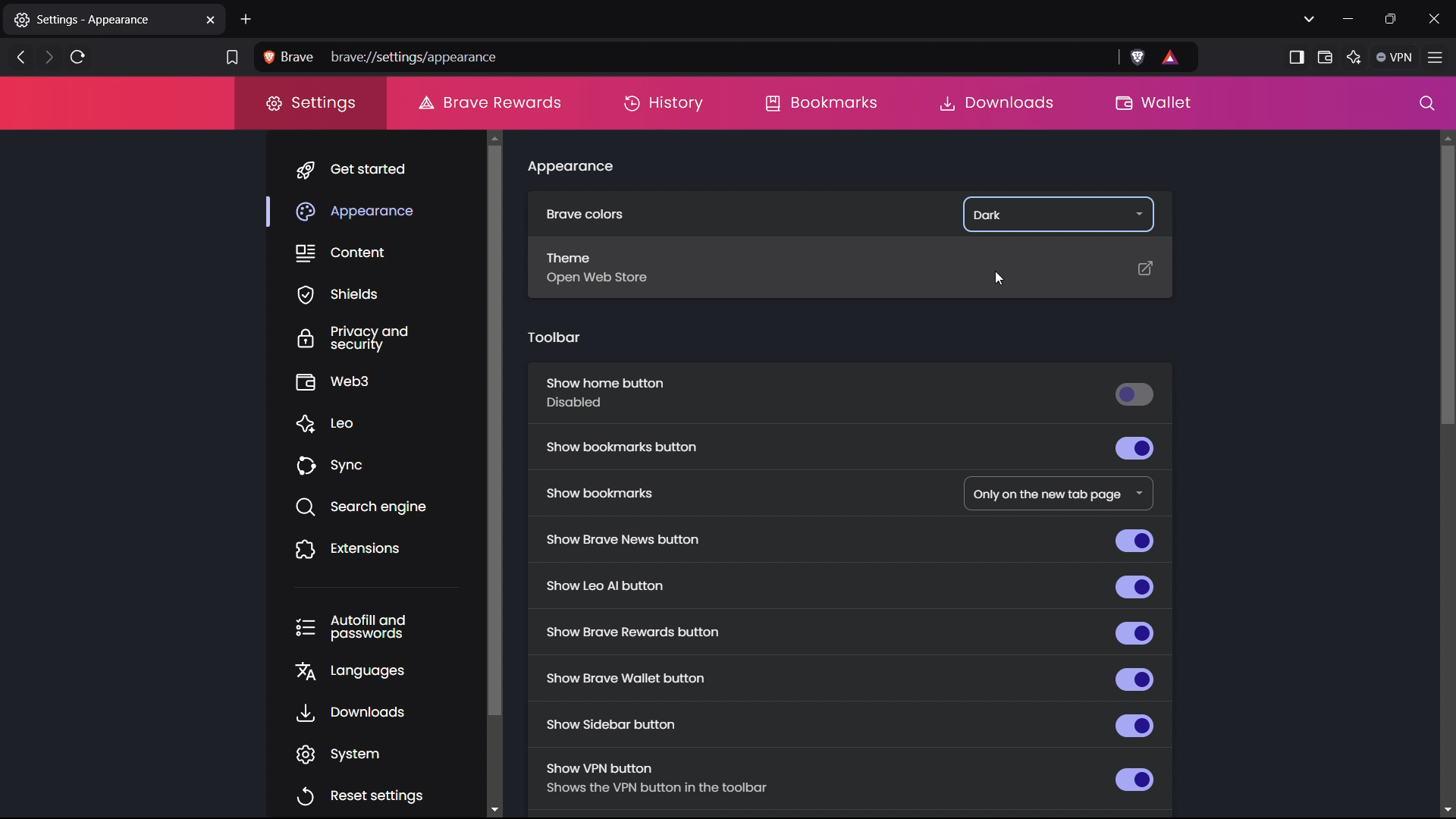 This screenshot has width=1456, height=819. Describe the element at coordinates (1310, 19) in the screenshot. I see `search tabs` at that location.